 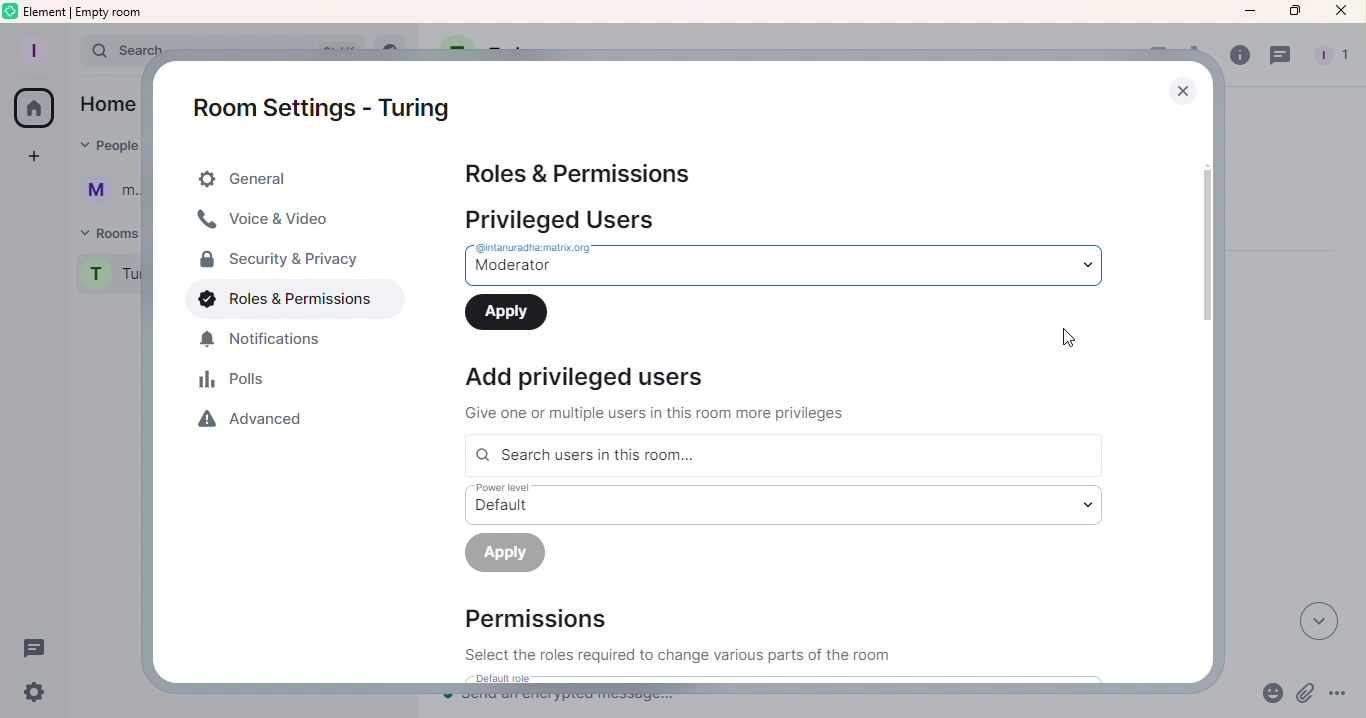 What do you see at coordinates (1236, 59) in the screenshot?
I see `Room info` at bounding box center [1236, 59].